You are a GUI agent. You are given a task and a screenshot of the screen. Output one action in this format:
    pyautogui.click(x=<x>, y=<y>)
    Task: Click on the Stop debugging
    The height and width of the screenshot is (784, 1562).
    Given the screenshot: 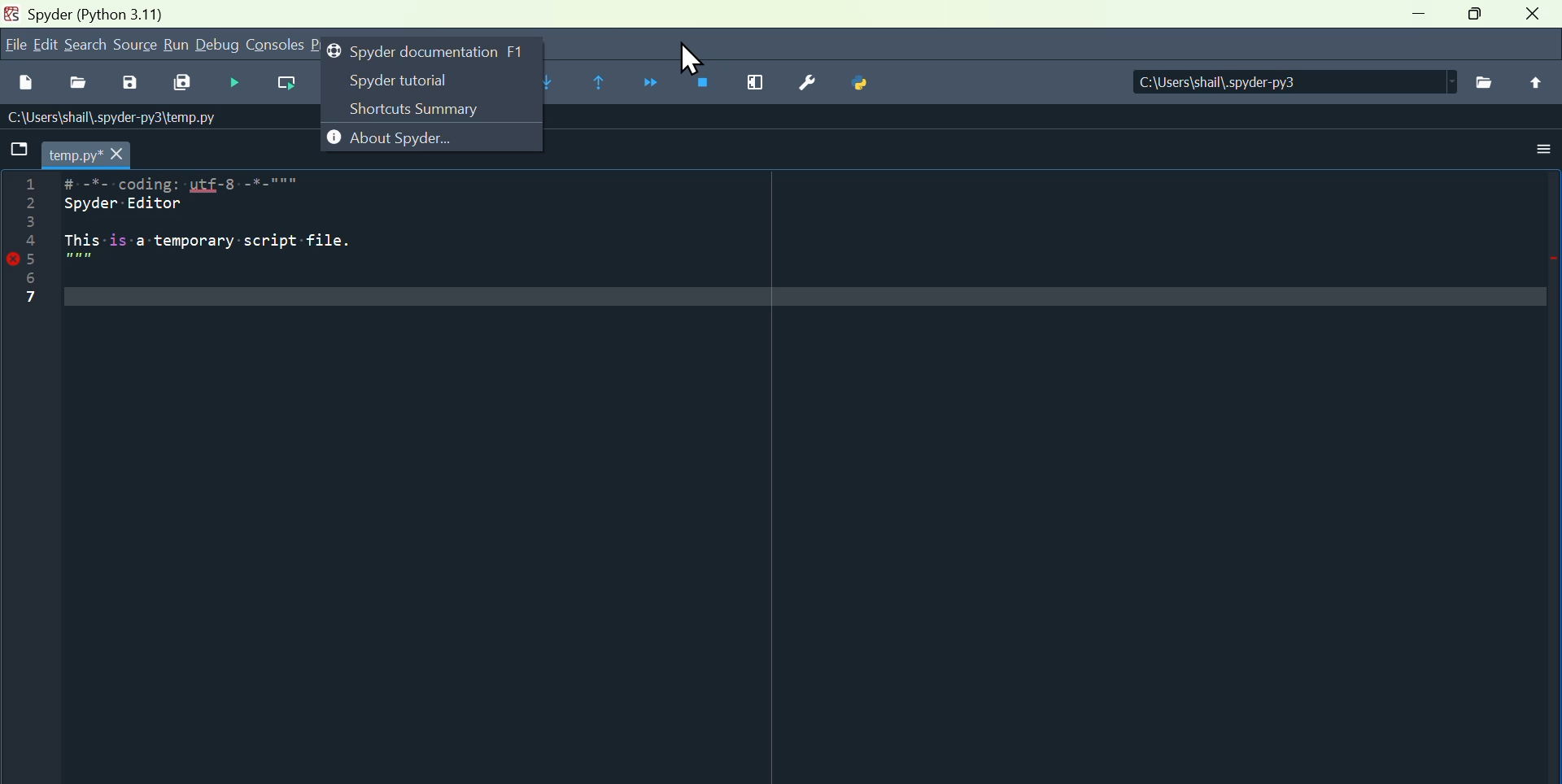 What is the action you would take?
    pyautogui.click(x=704, y=81)
    